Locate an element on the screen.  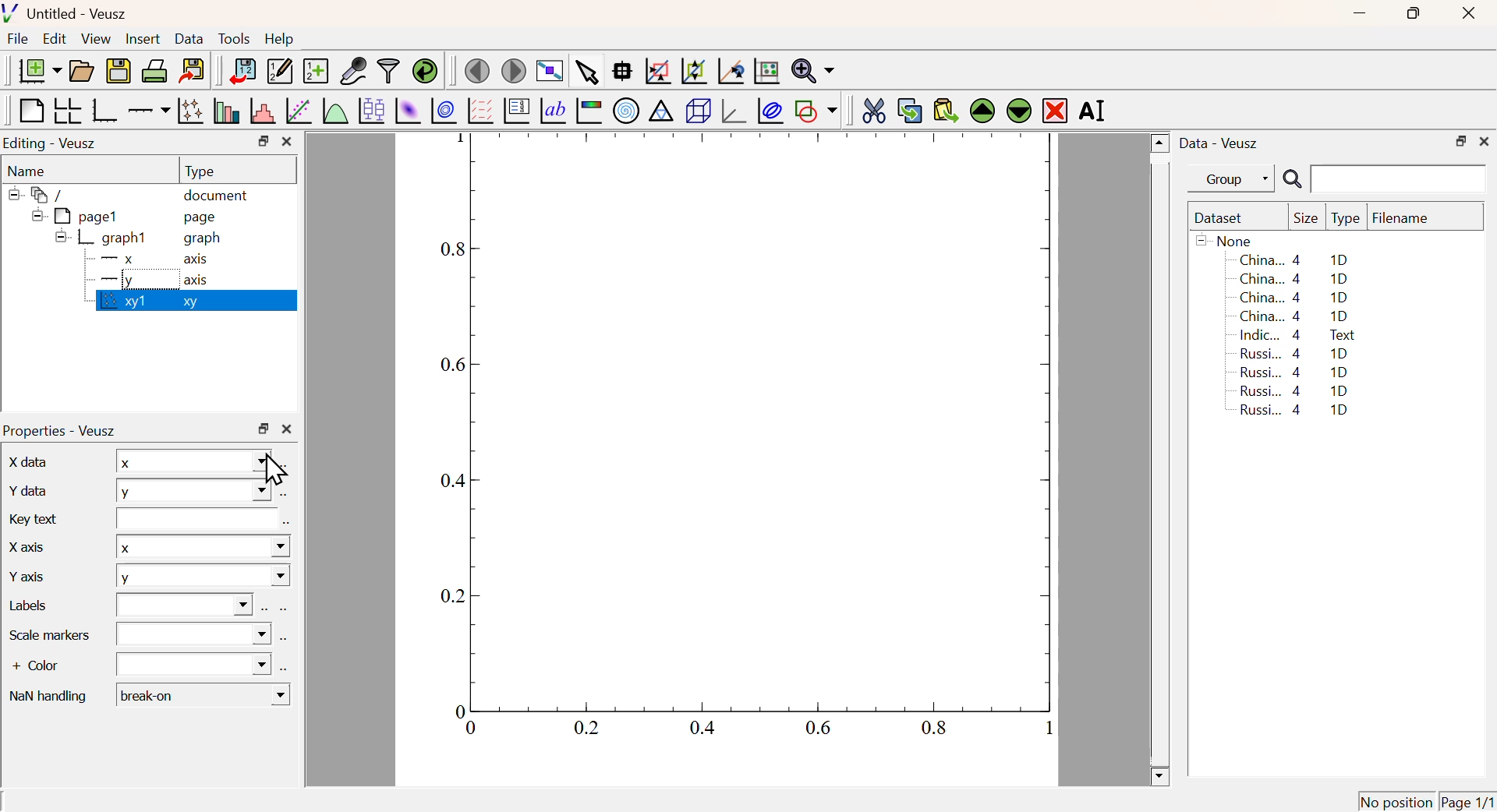
Select using dataset Browser is located at coordinates (285, 667).